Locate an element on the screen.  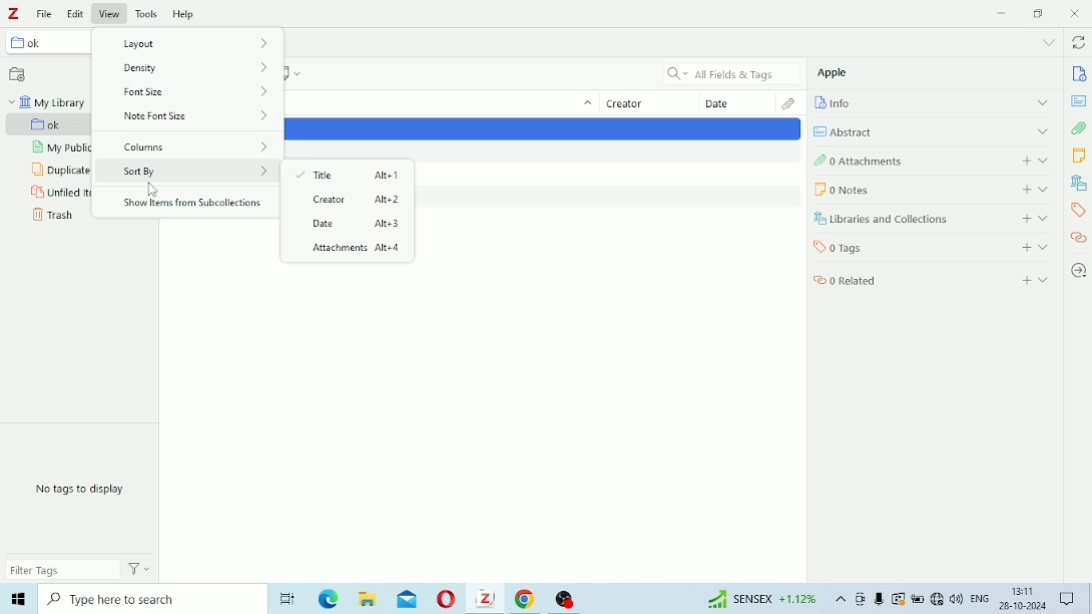
Attachments is located at coordinates (1080, 129).